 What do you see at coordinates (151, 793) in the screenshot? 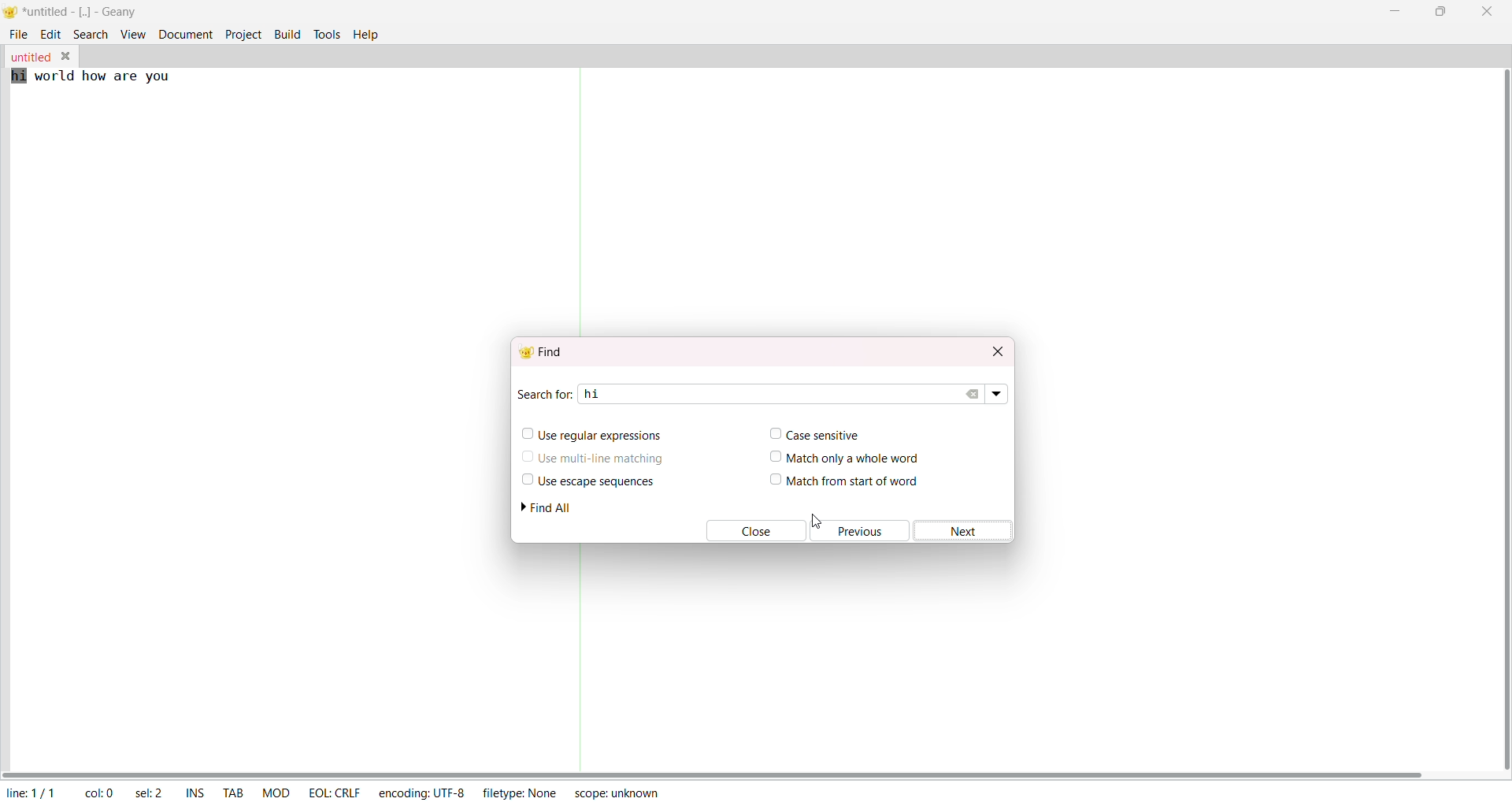
I see `sel: 0` at bounding box center [151, 793].